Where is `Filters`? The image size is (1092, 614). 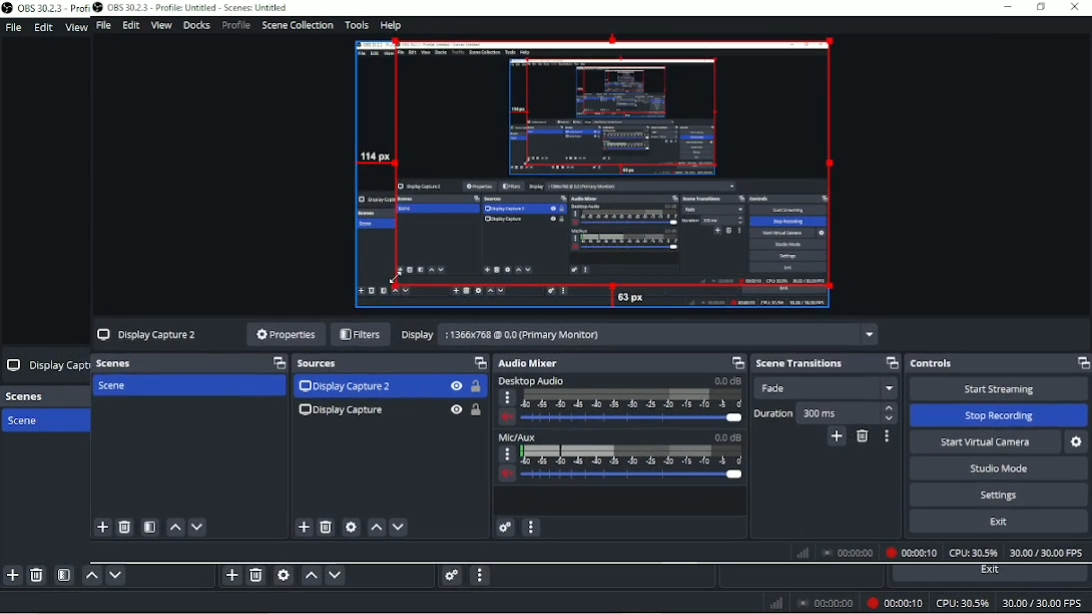
Filters is located at coordinates (356, 334).